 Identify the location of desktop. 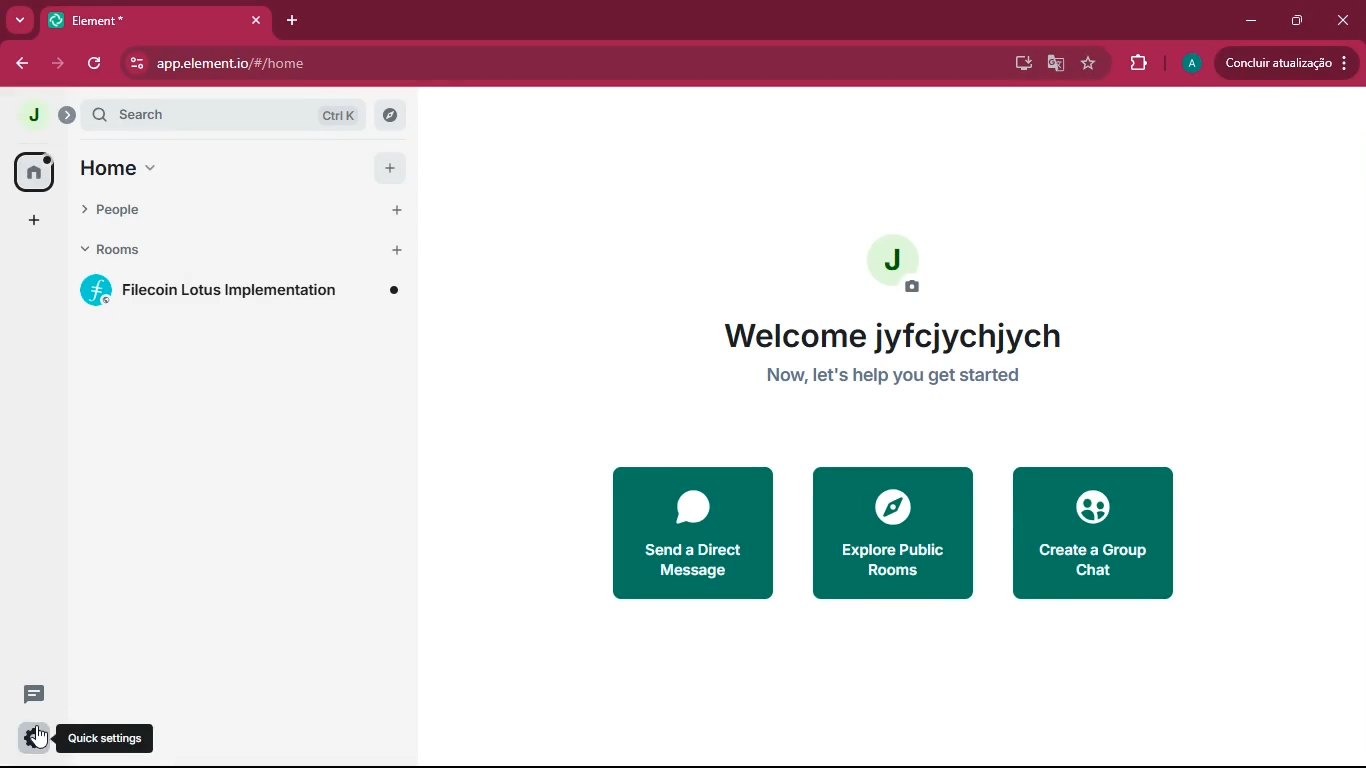
(1019, 66).